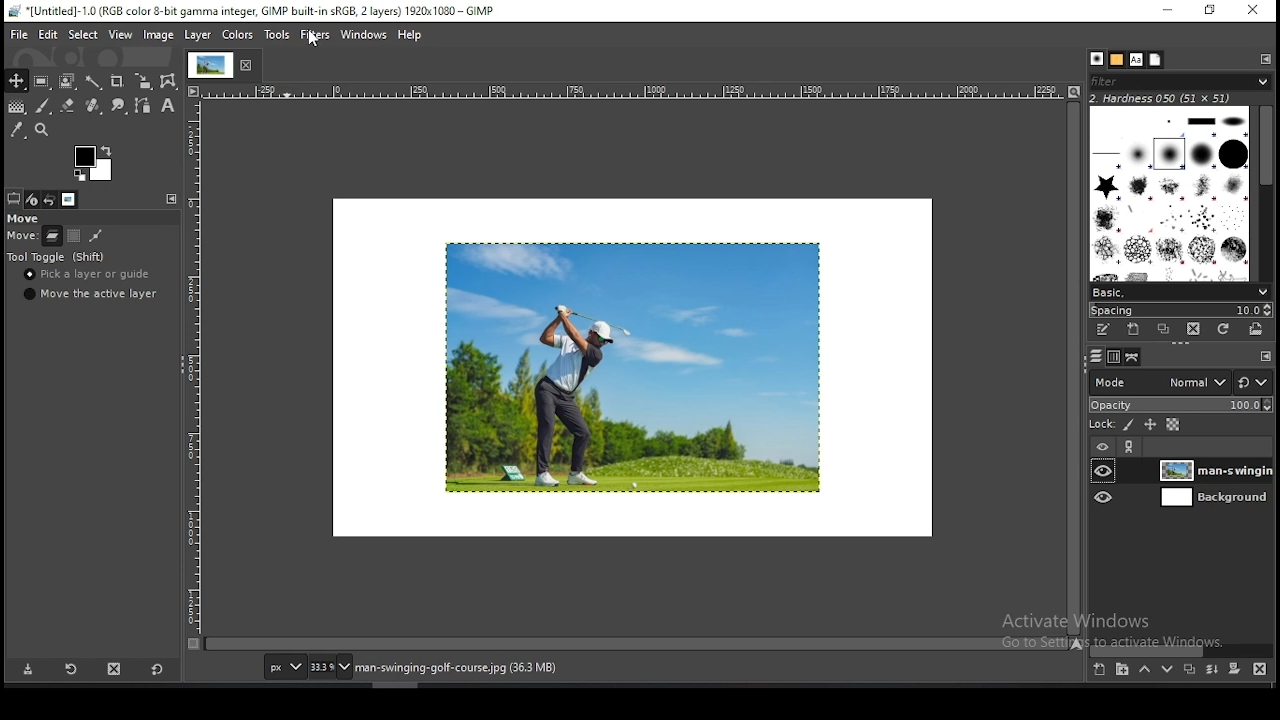  What do you see at coordinates (237, 35) in the screenshot?
I see `colors` at bounding box center [237, 35].